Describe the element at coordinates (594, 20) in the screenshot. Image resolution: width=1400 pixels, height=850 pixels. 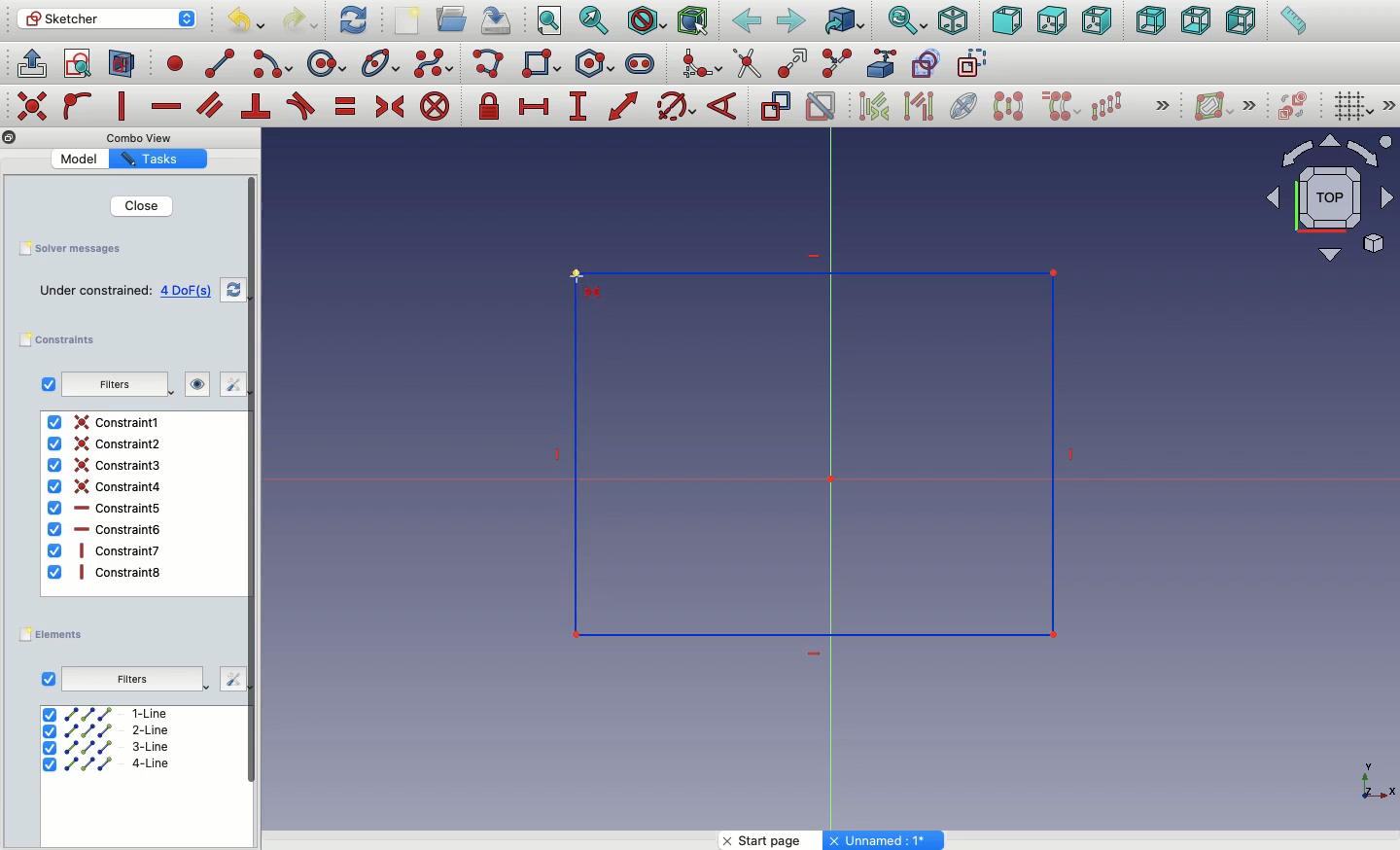
I see `Fit selection` at that location.